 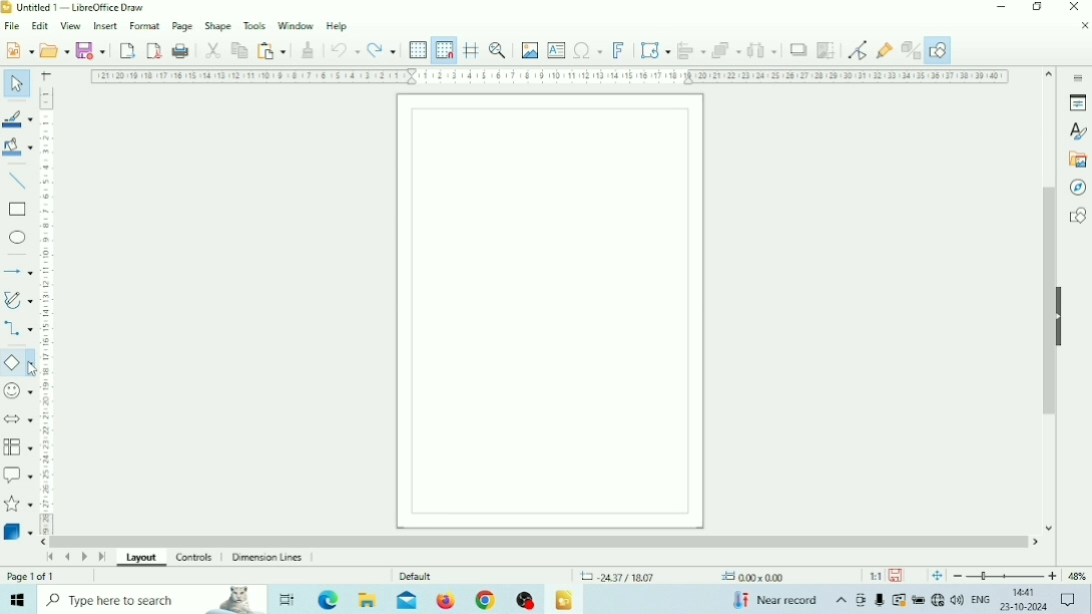 I want to click on Paste, so click(x=271, y=50).